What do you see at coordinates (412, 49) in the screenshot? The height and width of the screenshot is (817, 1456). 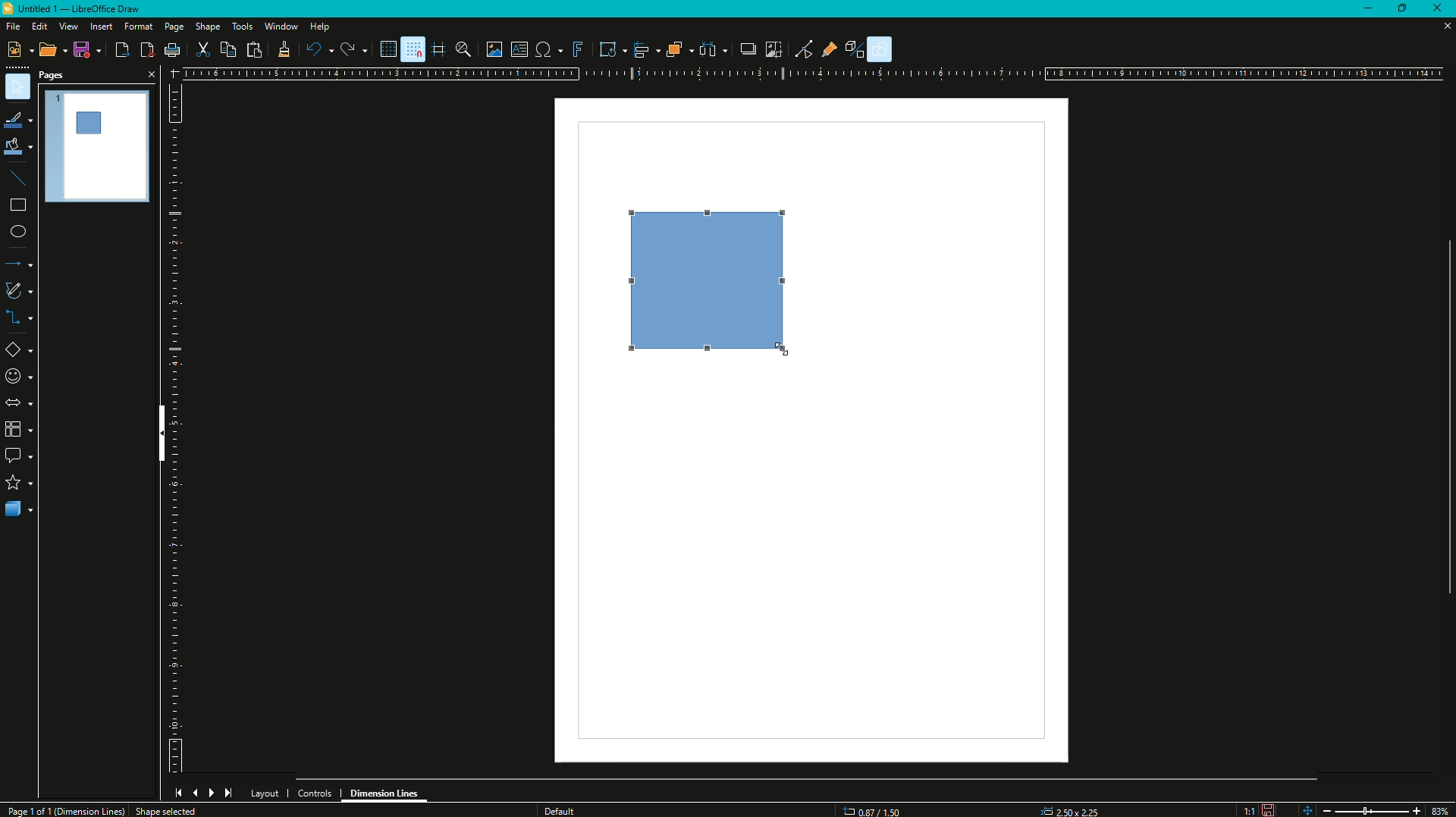 I see `Snap to Grid` at bounding box center [412, 49].